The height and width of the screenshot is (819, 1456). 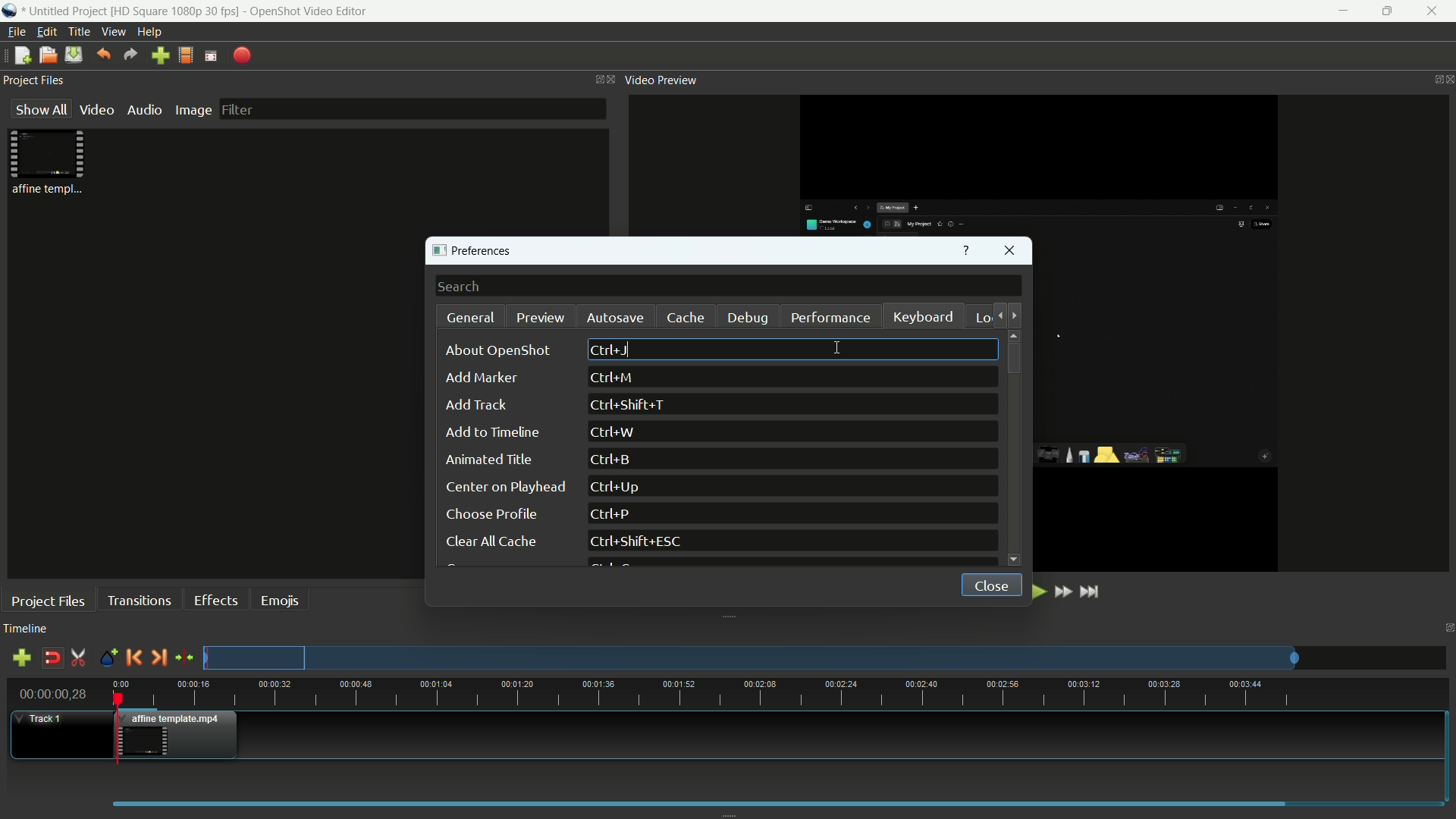 What do you see at coordinates (47, 32) in the screenshot?
I see `edit menu` at bounding box center [47, 32].